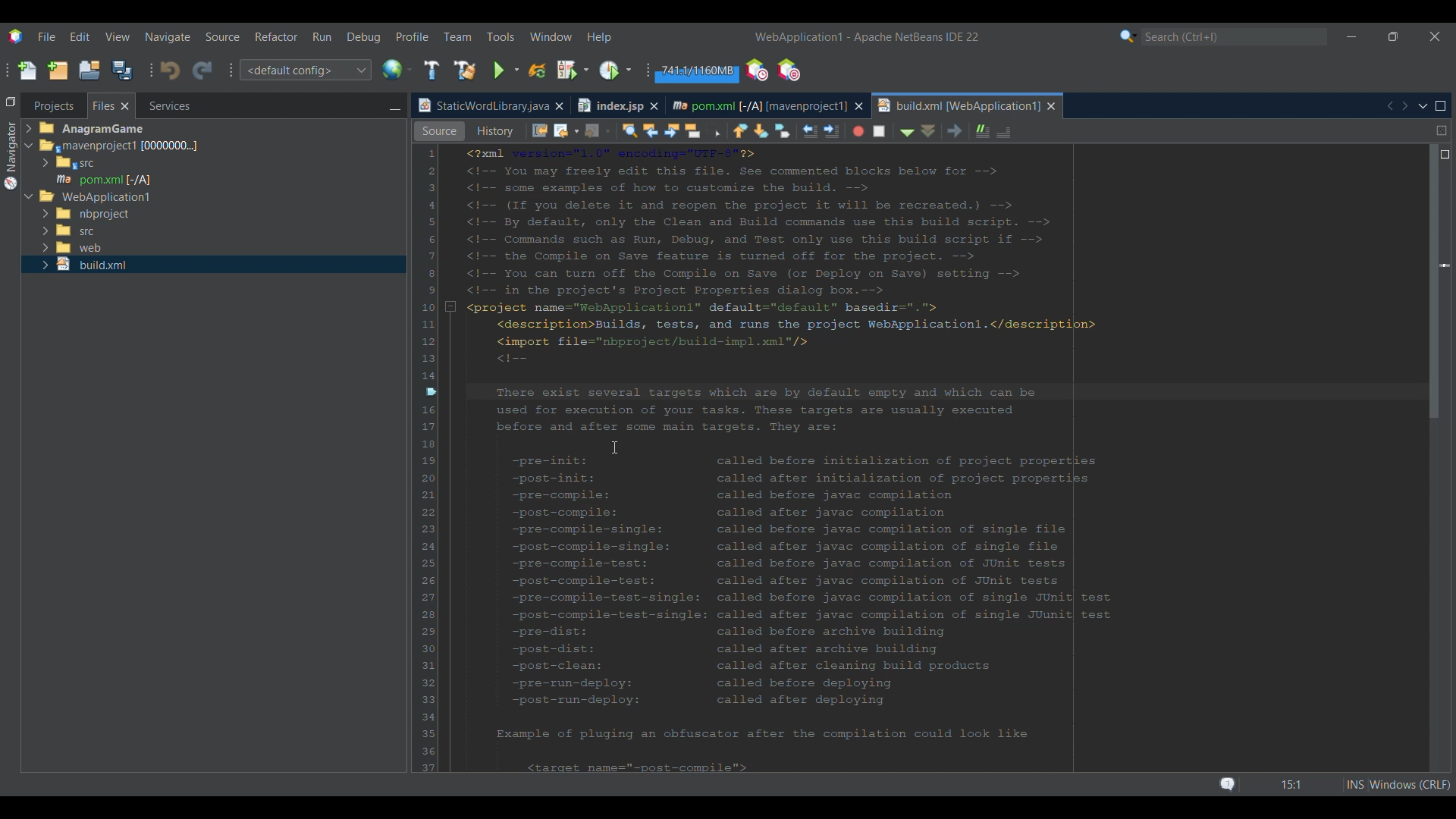  Describe the element at coordinates (500, 36) in the screenshot. I see `Tools menu` at that location.